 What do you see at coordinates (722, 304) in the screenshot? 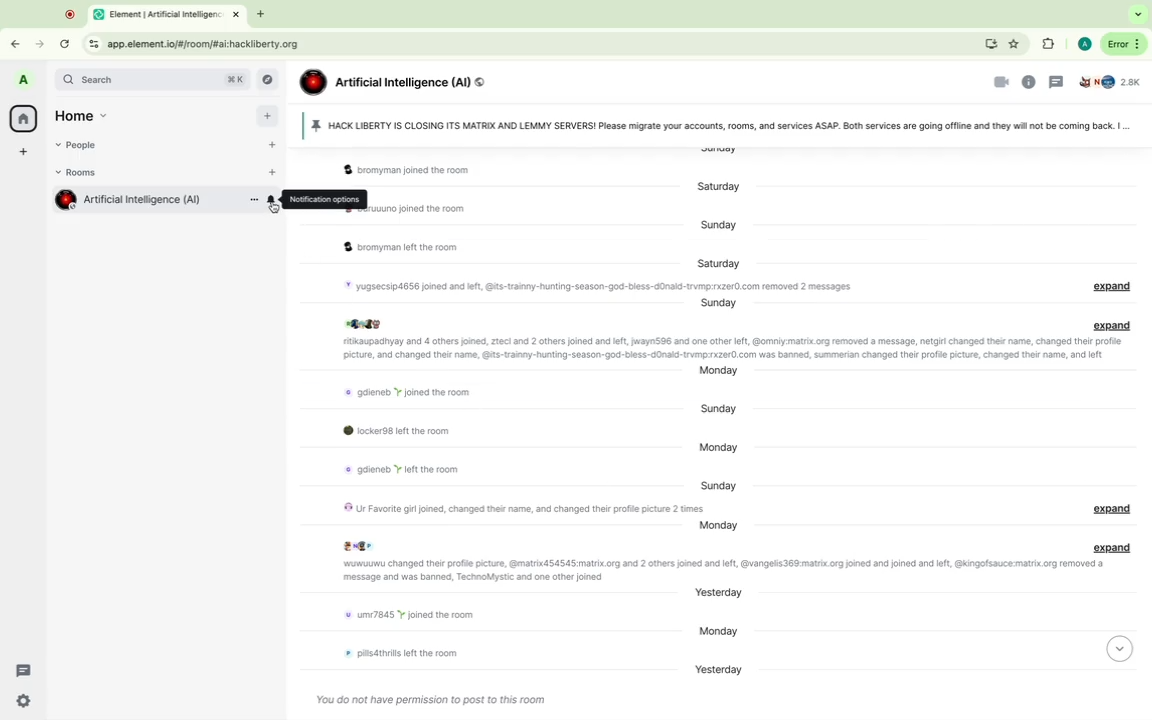
I see `Day` at bounding box center [722, 304].